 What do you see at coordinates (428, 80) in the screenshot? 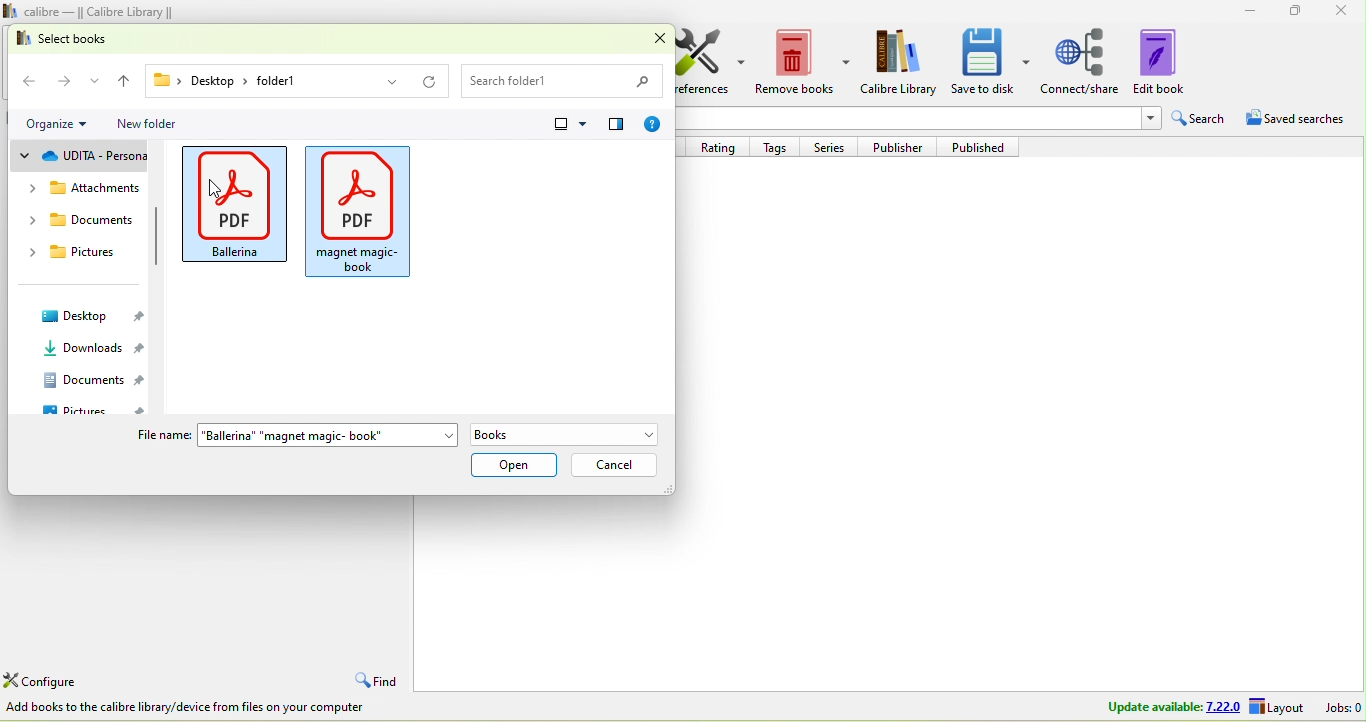
I see `reload` at bounding box center [428, 80].